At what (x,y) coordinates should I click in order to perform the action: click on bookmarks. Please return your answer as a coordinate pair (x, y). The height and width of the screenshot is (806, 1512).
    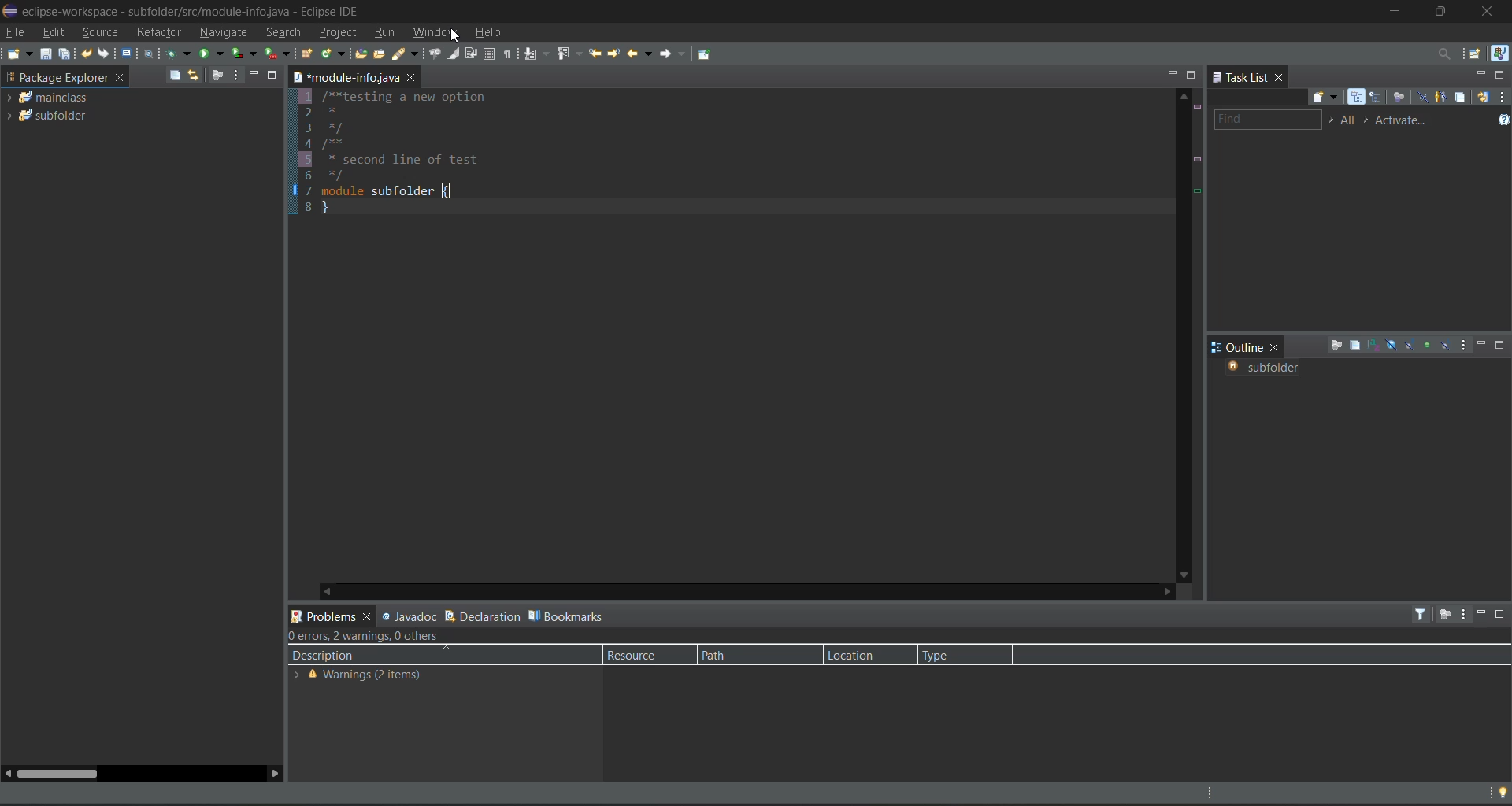
    Looking at the image, I should click on (565, 616).